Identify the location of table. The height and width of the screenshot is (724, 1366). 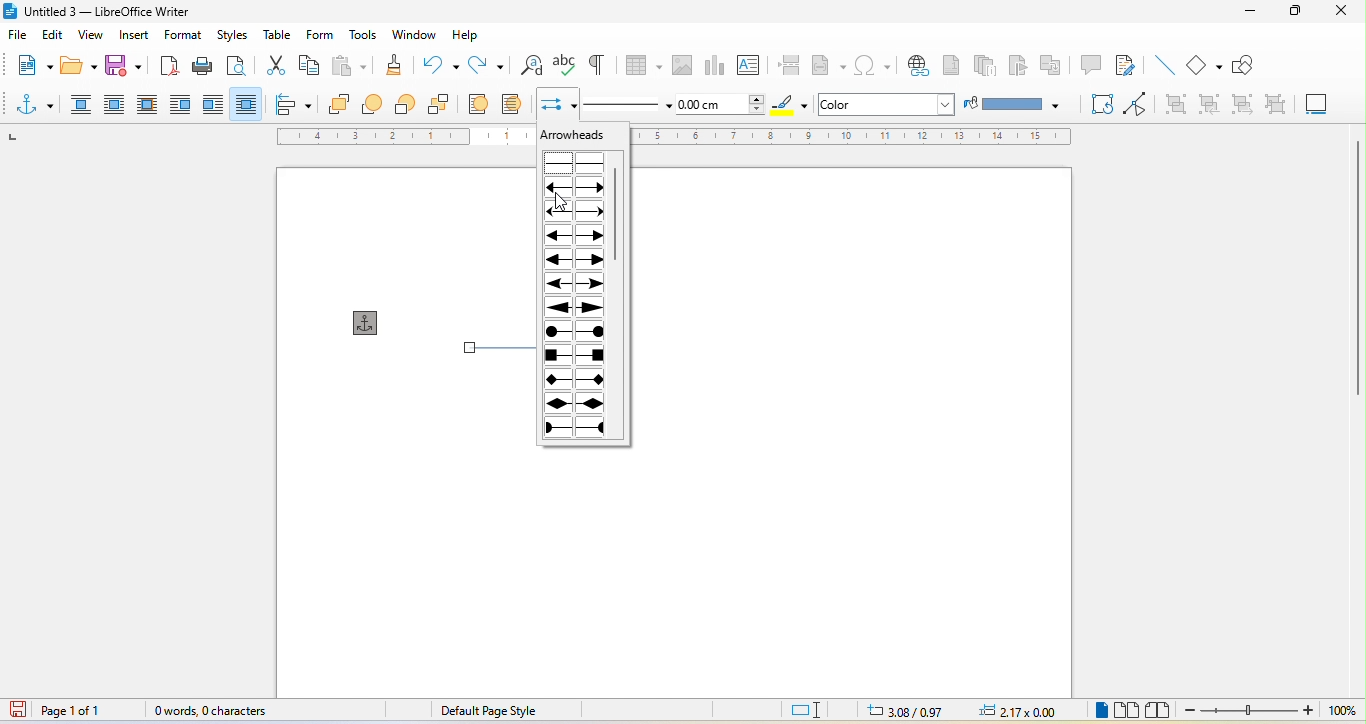
(279, 32).